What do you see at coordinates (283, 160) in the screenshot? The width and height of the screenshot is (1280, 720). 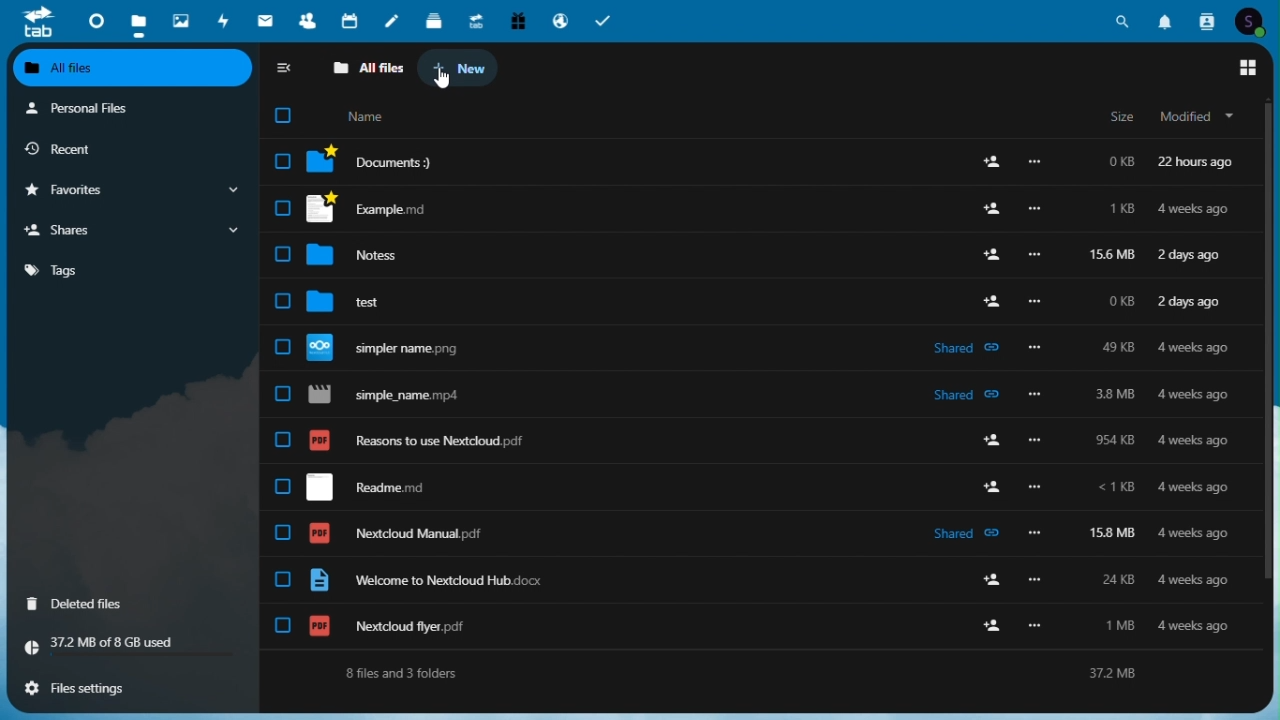 I see `check box` at bounding box center [283, 160].